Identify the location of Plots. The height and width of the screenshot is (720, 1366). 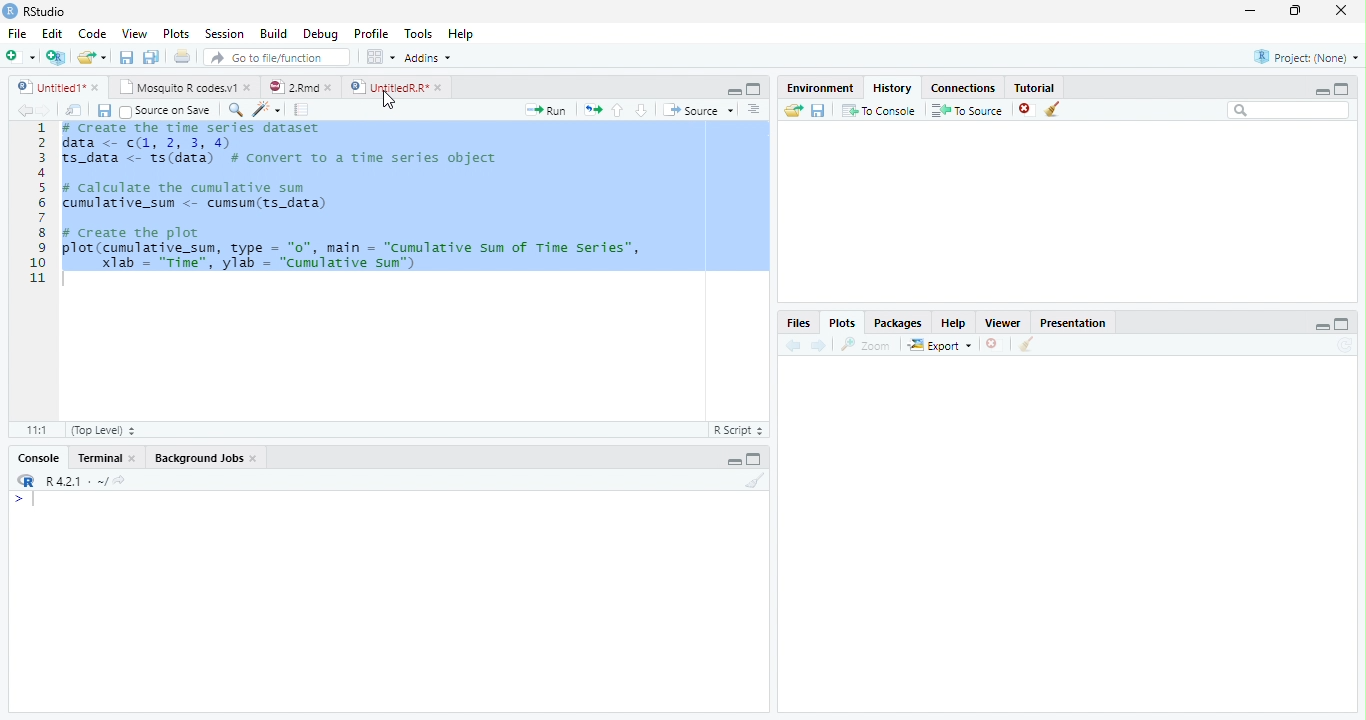
(177, 34).